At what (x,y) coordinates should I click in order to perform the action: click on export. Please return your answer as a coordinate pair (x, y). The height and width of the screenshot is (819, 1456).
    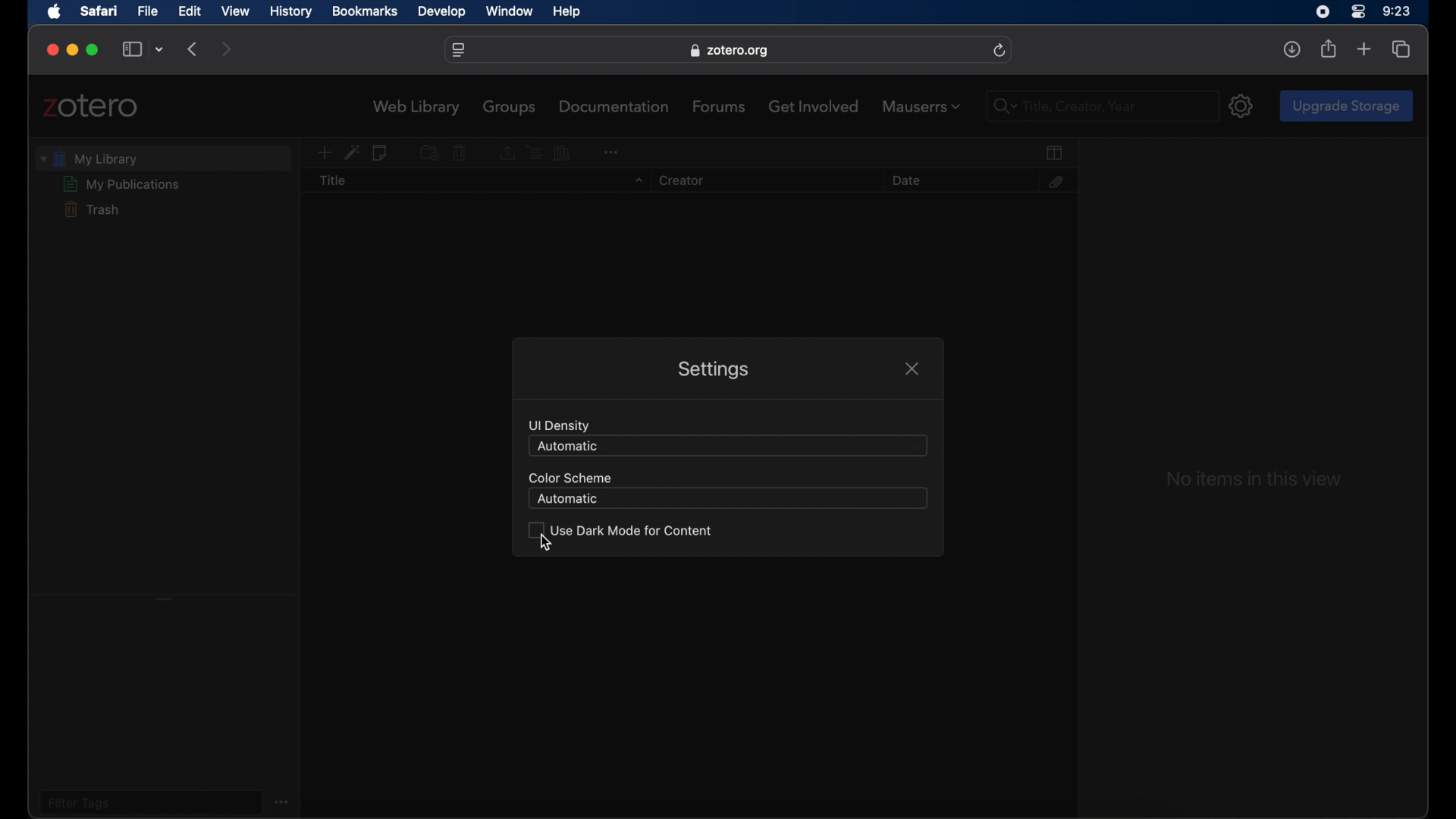
    Looking at the image, I should click on (506, 153).